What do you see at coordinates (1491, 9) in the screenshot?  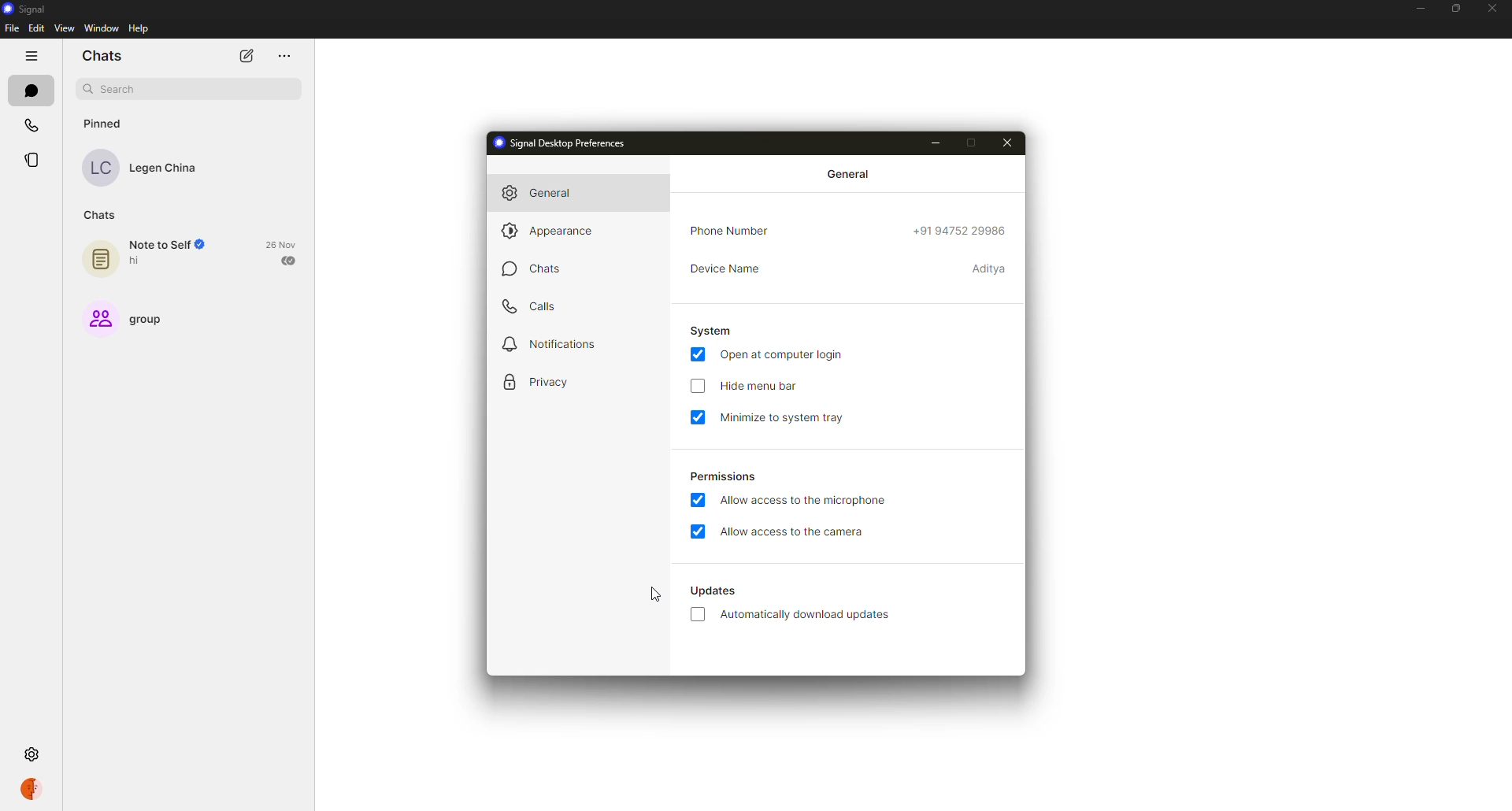 I see `close` at bounding box center [1491, 9].